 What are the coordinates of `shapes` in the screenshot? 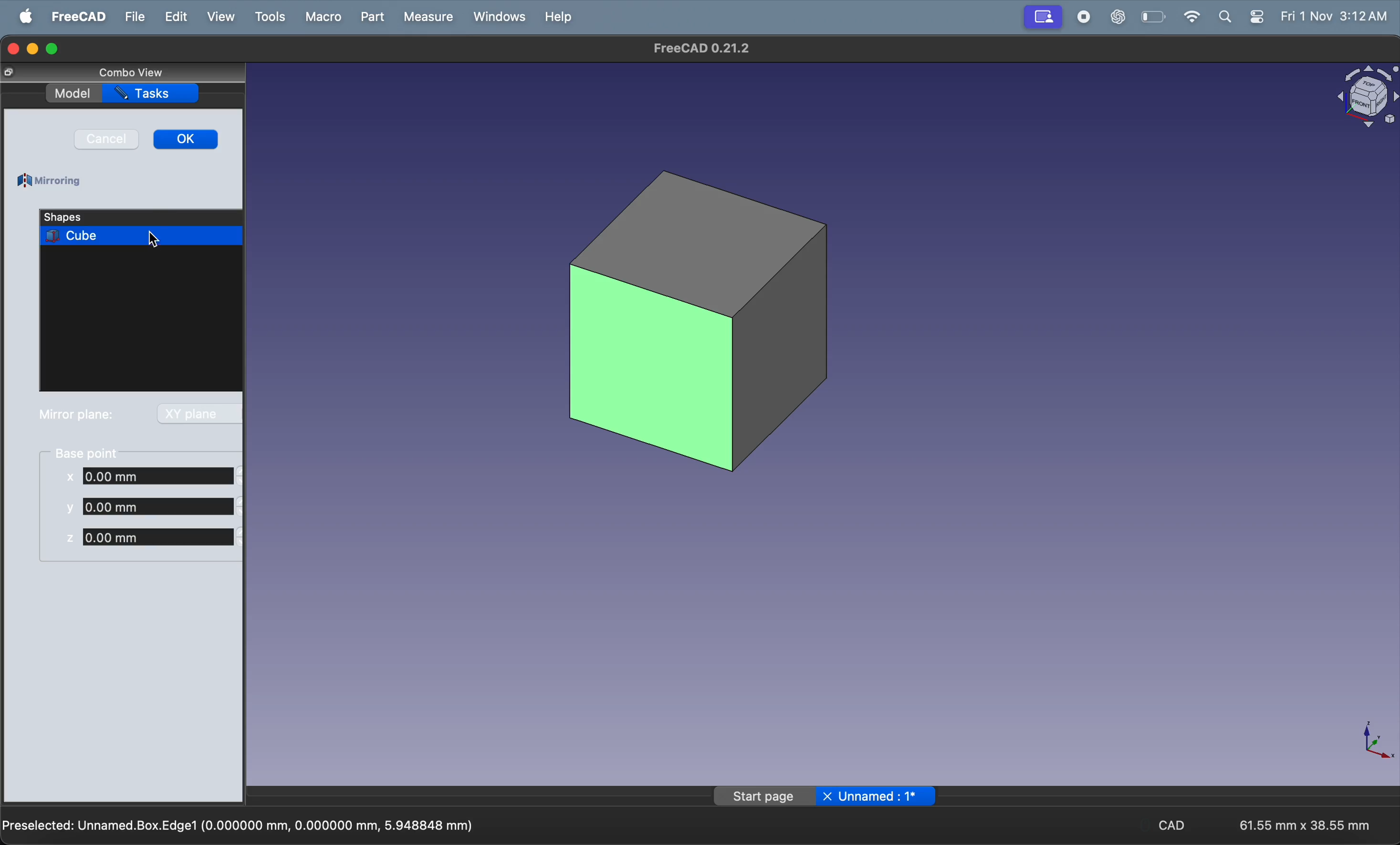 It's located at (102, 216).